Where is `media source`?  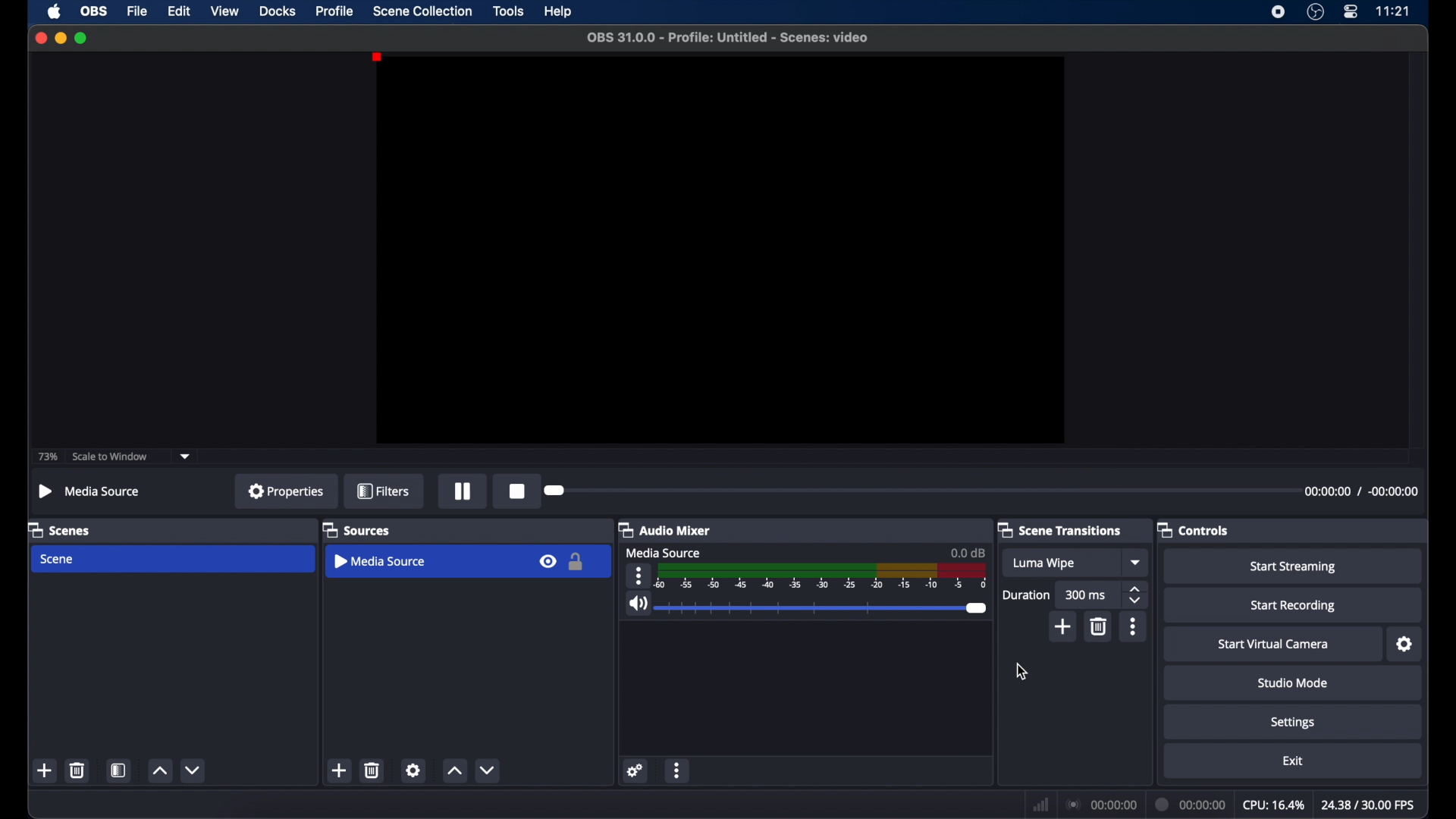 media source is located at coordinates (661, 554).